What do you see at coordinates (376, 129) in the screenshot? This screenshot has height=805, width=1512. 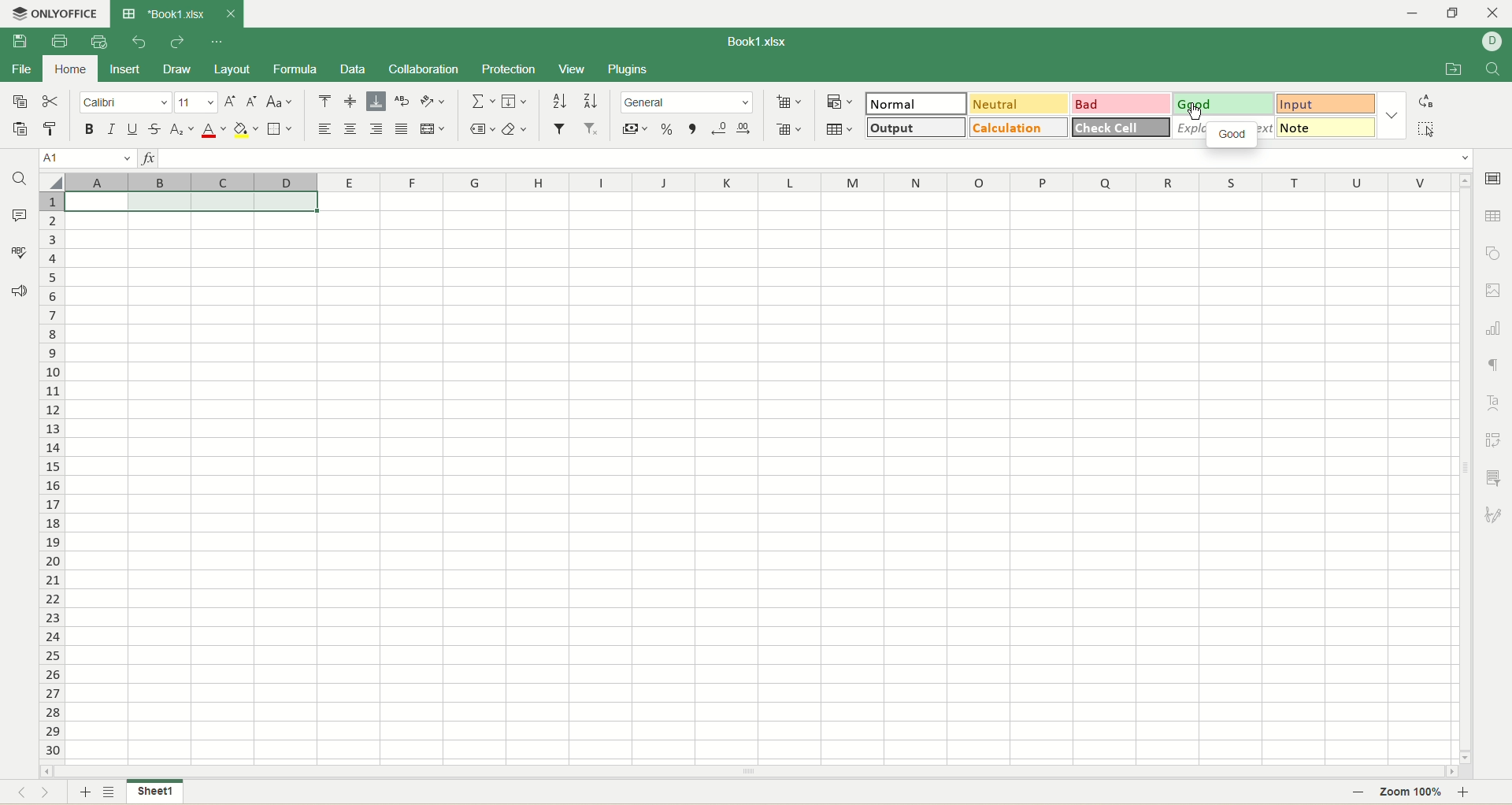 I see `align right` at bounding box center [376, 129].